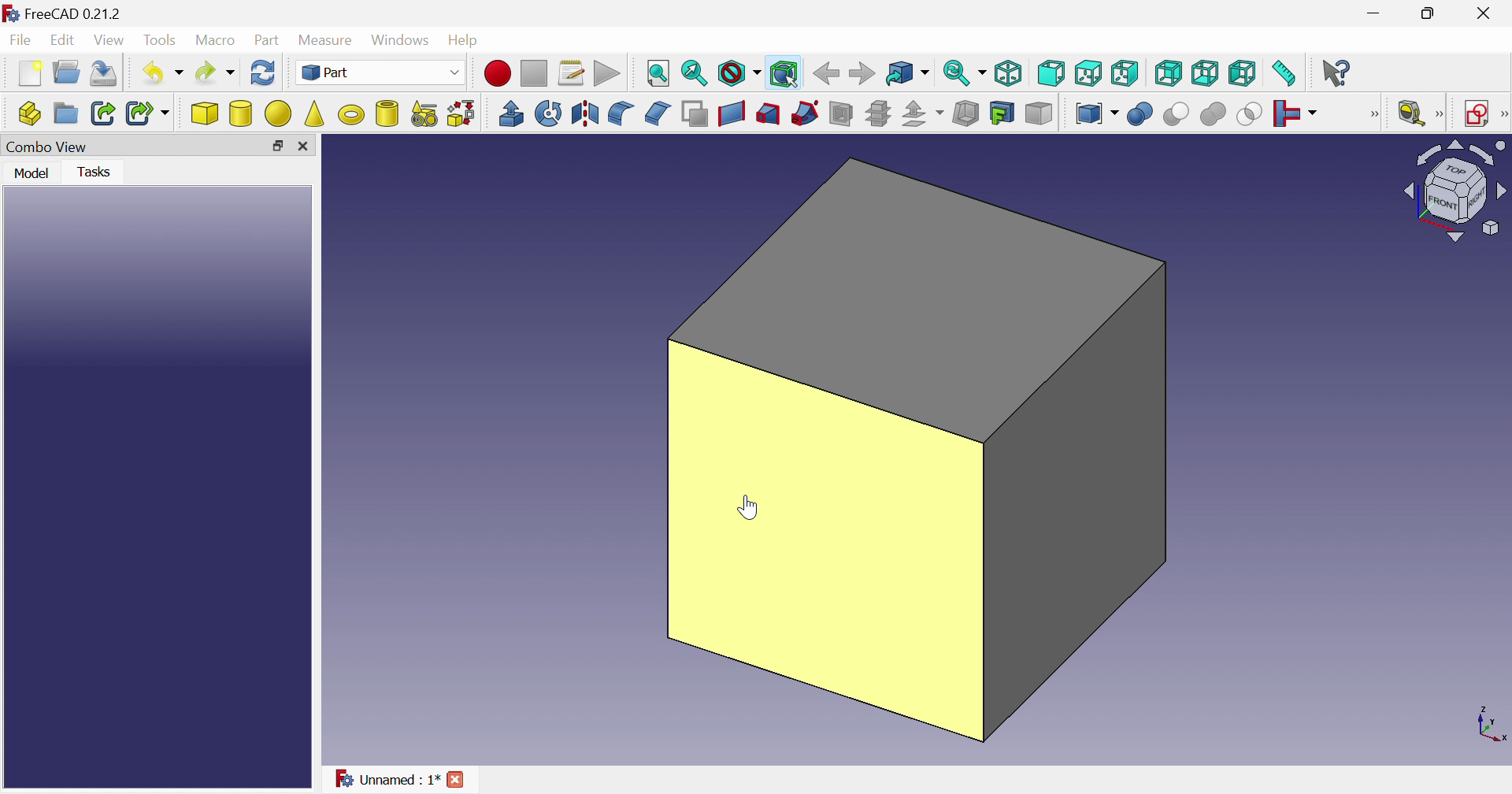 This screenshot has height=794, width=1512. I want to click on Macro recording..., so click(498, 73).